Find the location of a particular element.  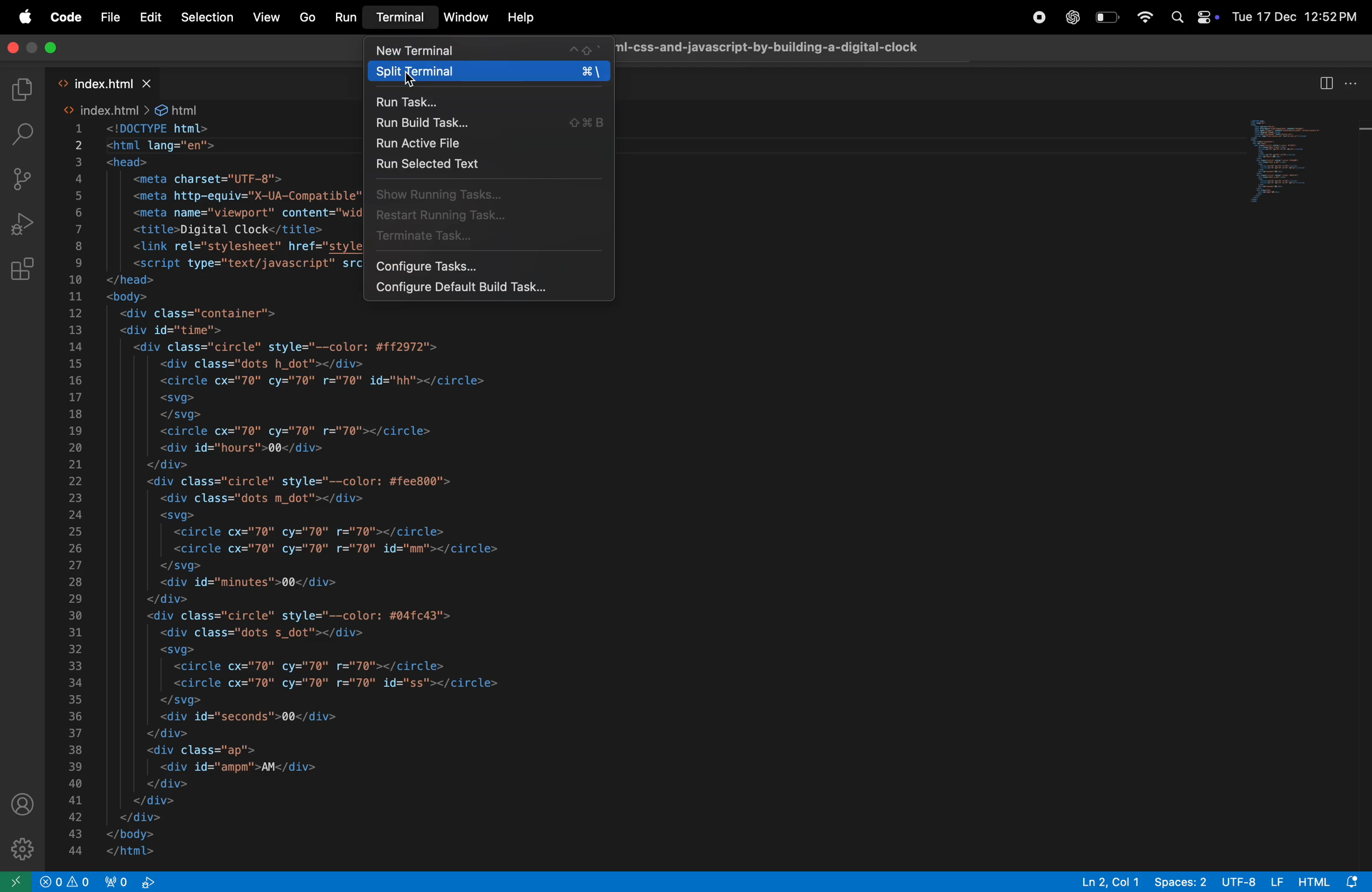

line number is located at coordinates (76, 490).